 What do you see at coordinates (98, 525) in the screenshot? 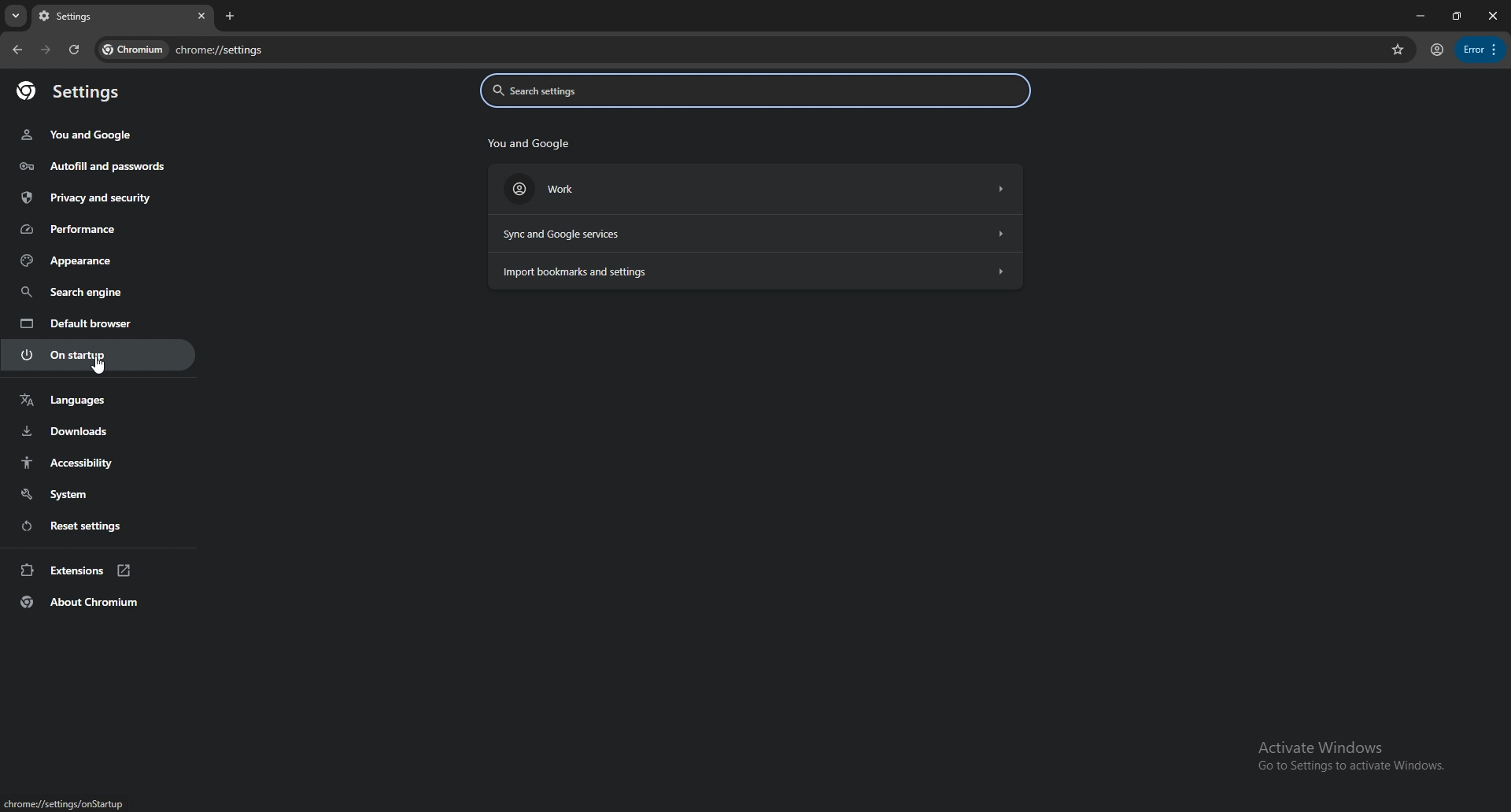
I see `reset settings` at bounding box center [98, 525].